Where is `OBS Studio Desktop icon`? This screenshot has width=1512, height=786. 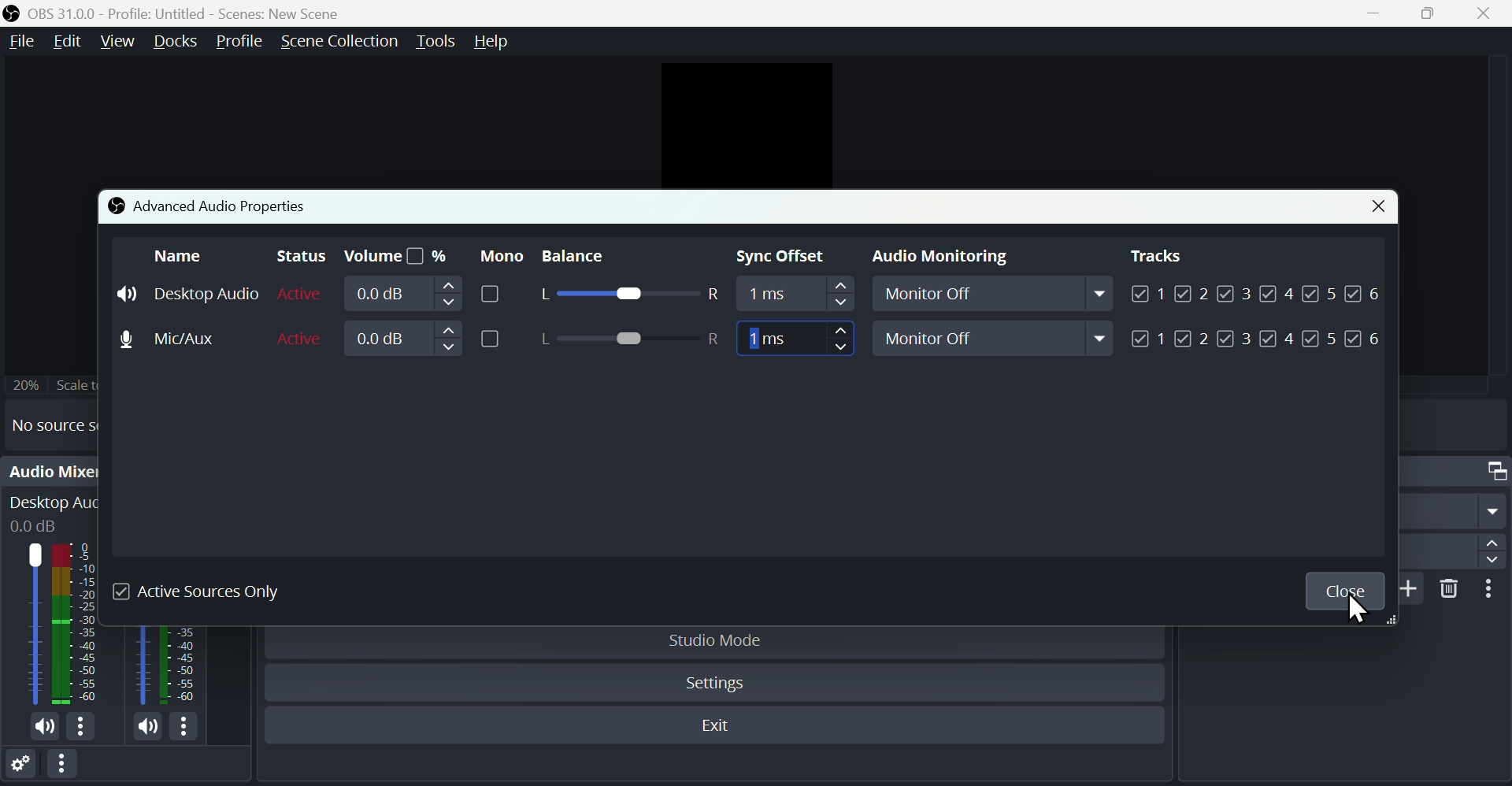 OBS Studio Desktop icon is located at coordinates (12, 13).